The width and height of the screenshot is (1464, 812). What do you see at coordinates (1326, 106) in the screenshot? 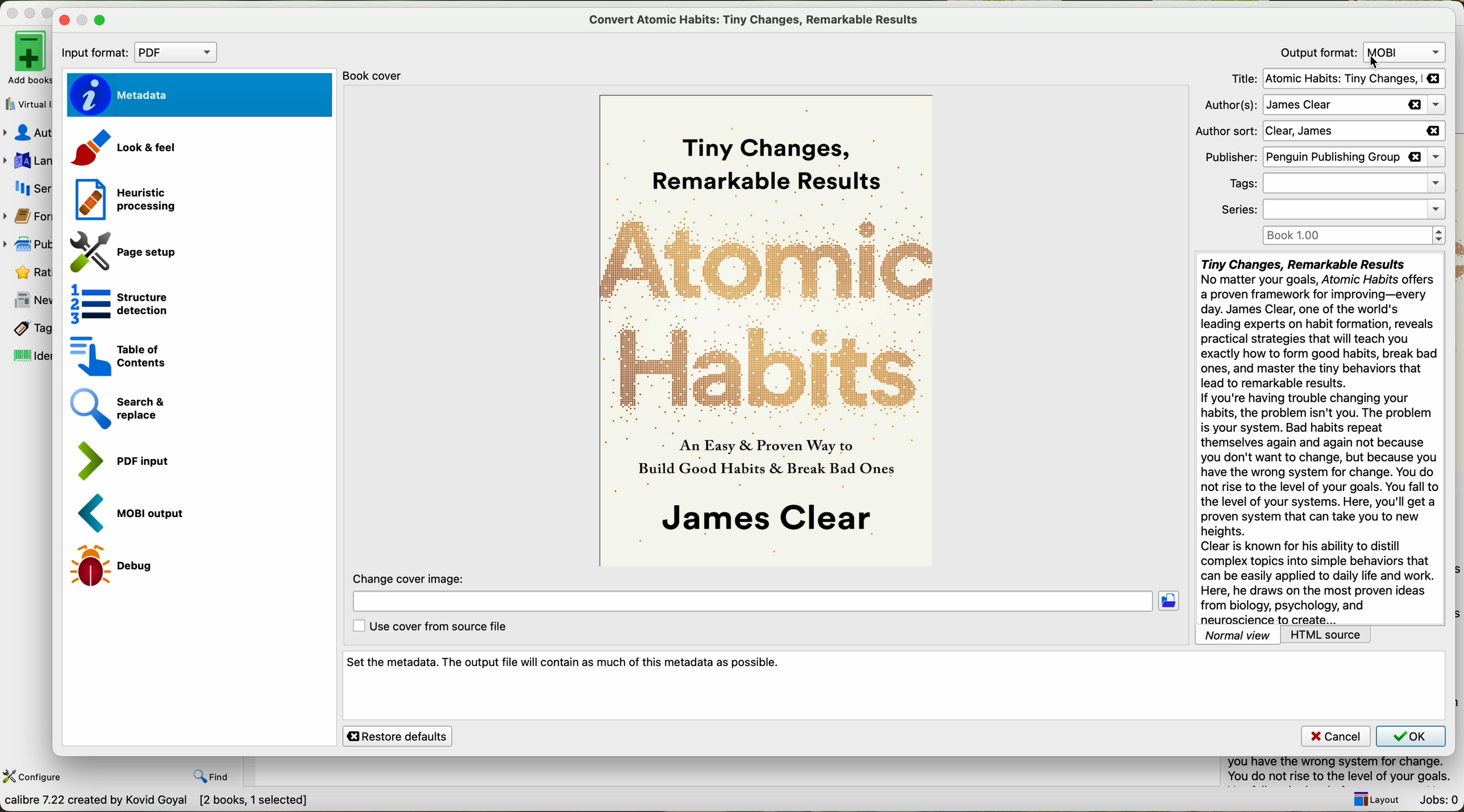
I see `author(s)` at bounding box center [1326, 106].